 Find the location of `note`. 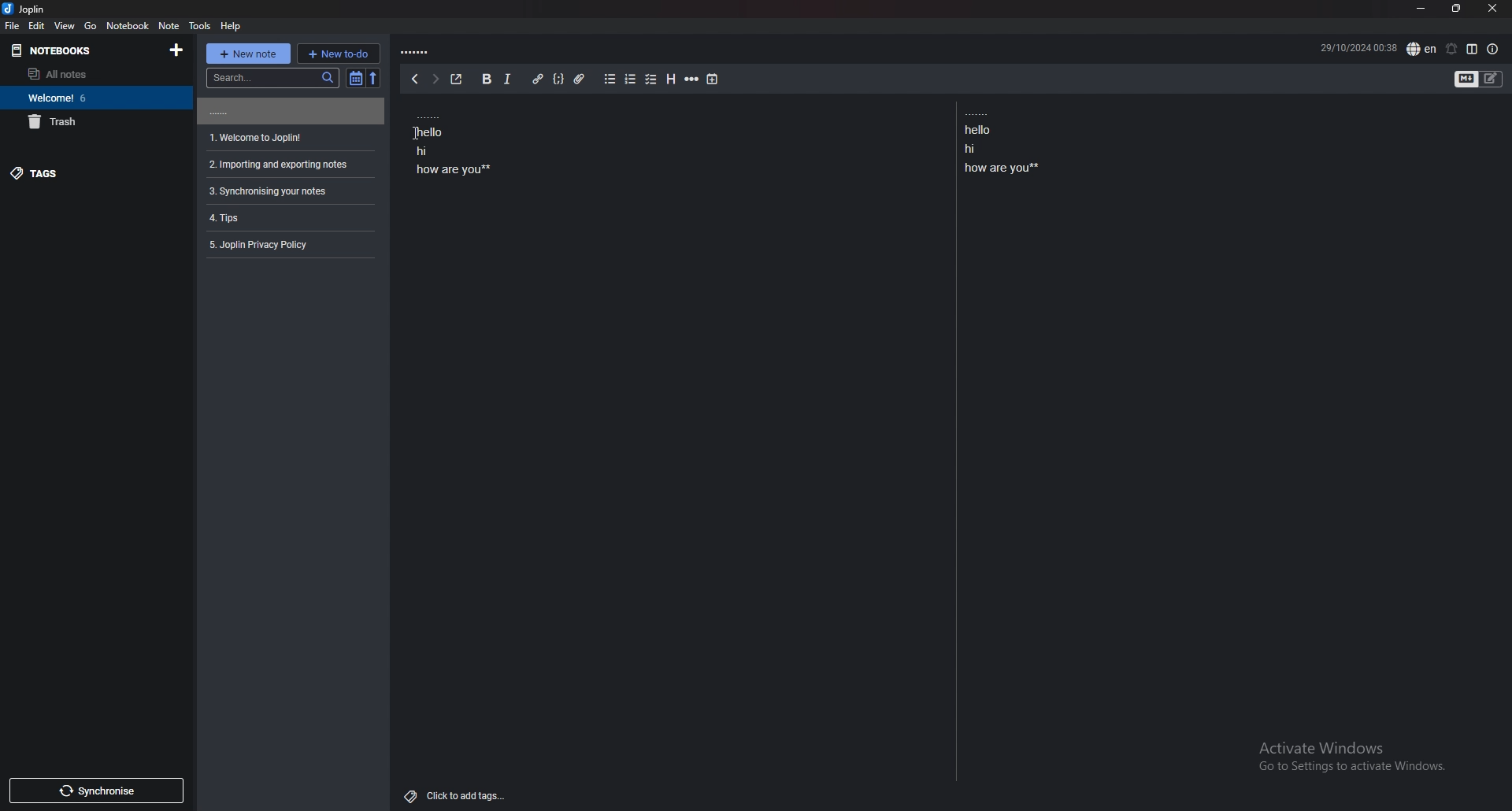

note is located at coordinates (288, 111).